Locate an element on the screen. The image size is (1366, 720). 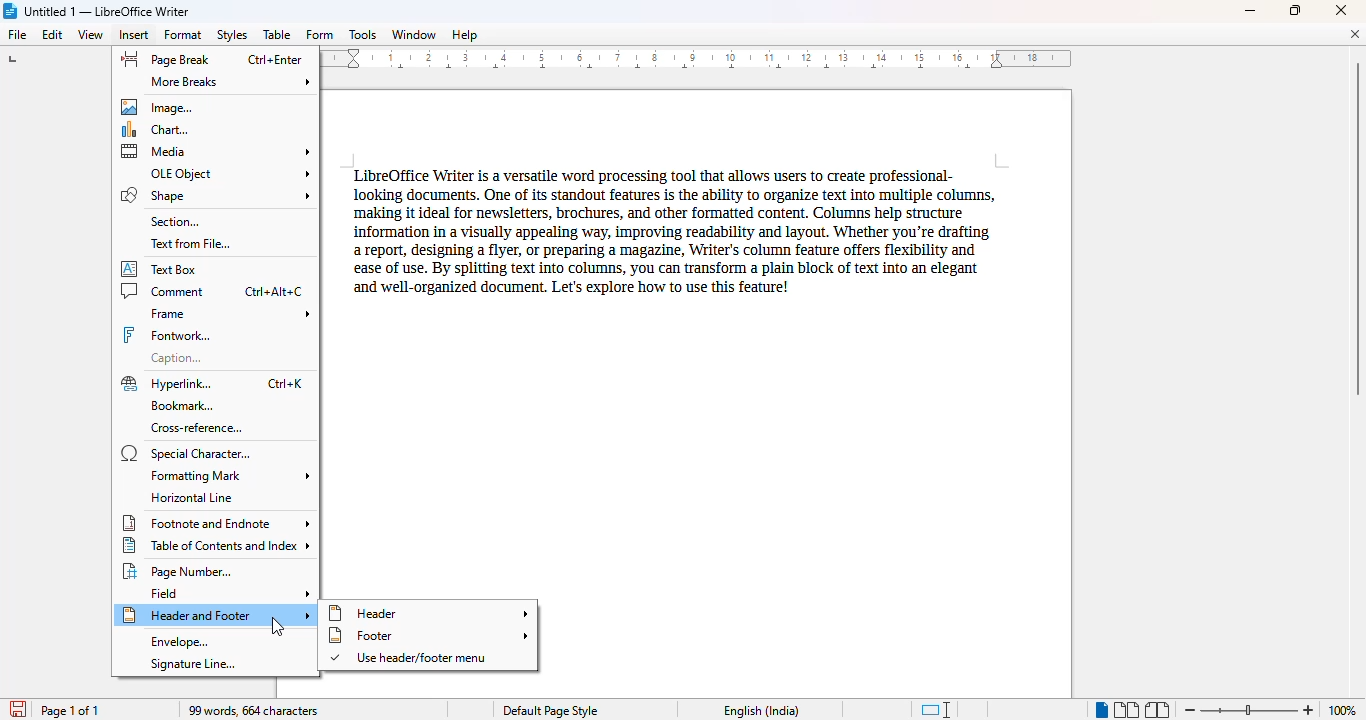
image is located at coordinates (161, 106).